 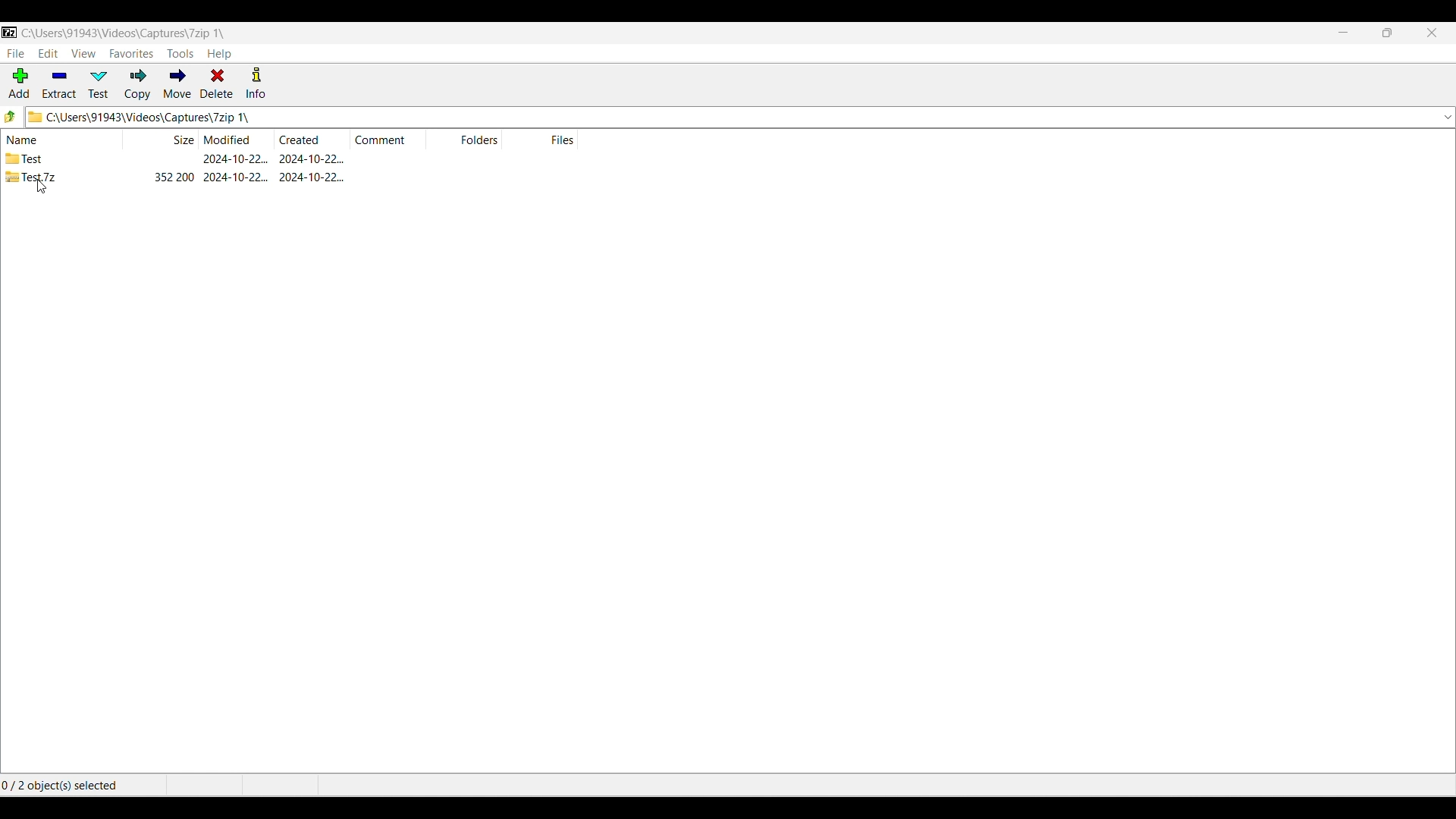 I want to click on Copy, so click(x=138, y=84).